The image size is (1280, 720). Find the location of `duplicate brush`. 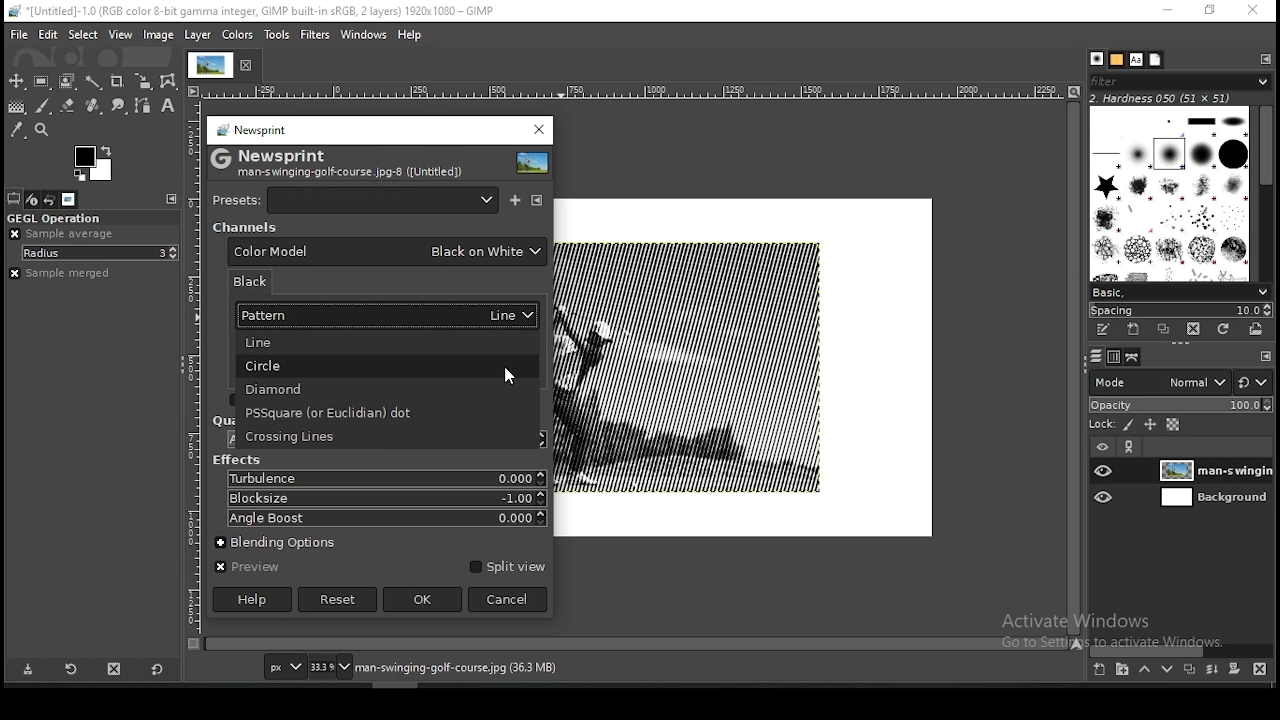

duplicate brush is located at coordinates (1162, 330).